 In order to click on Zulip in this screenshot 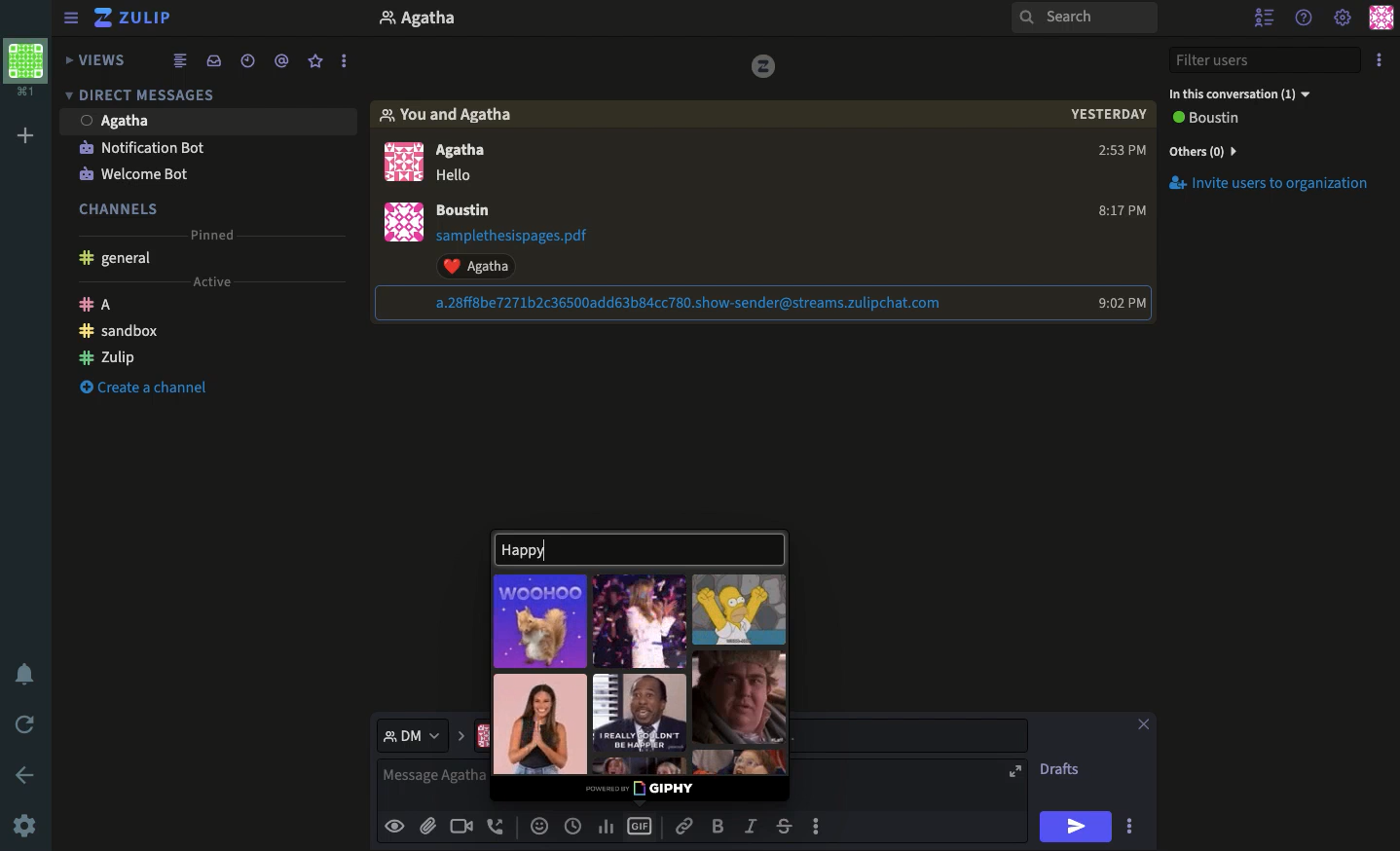, I will do `click(107, 360)`.